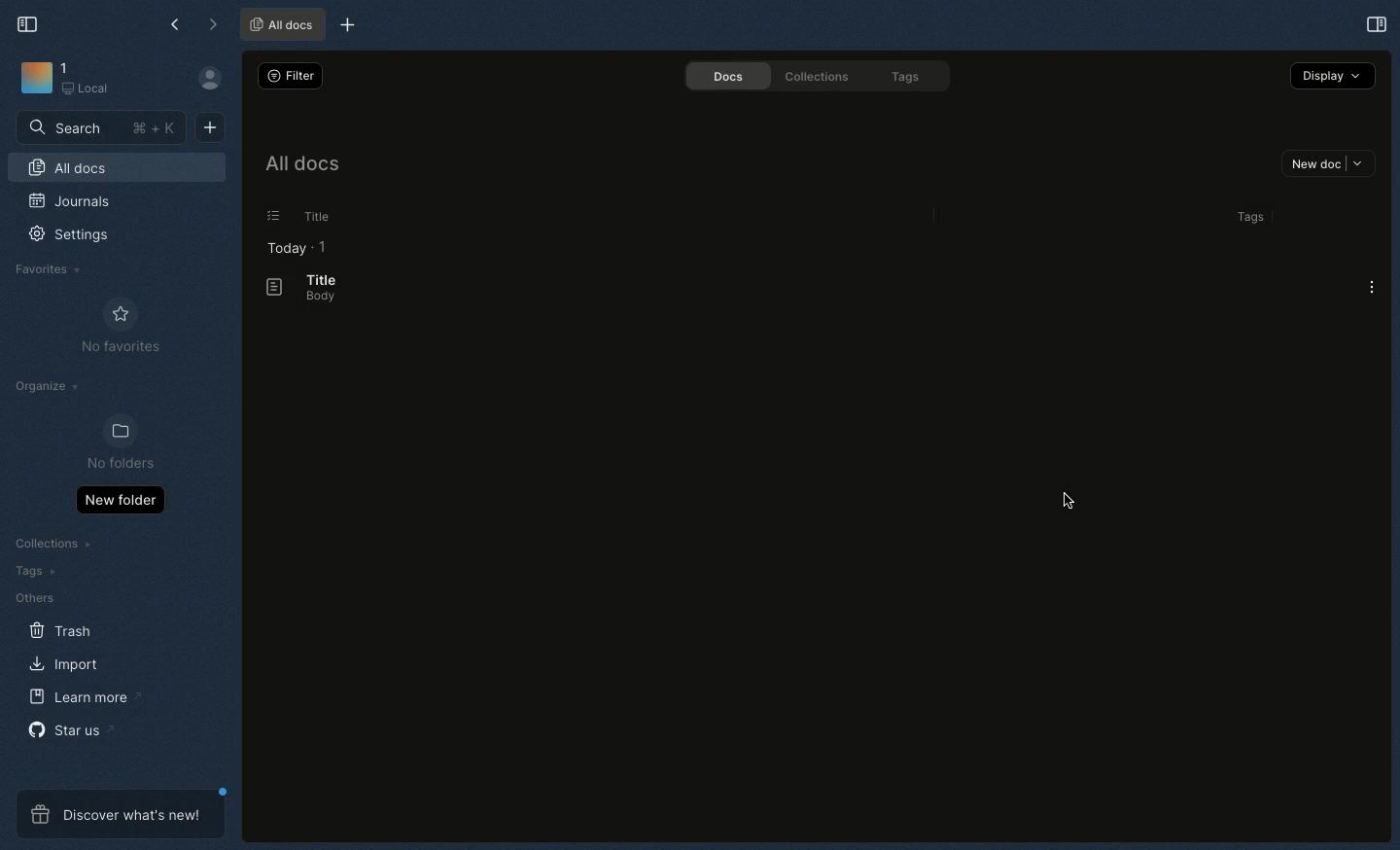 The height and width of the screenshot is (850, 1400). I want to click on Document, so click(265, 288).